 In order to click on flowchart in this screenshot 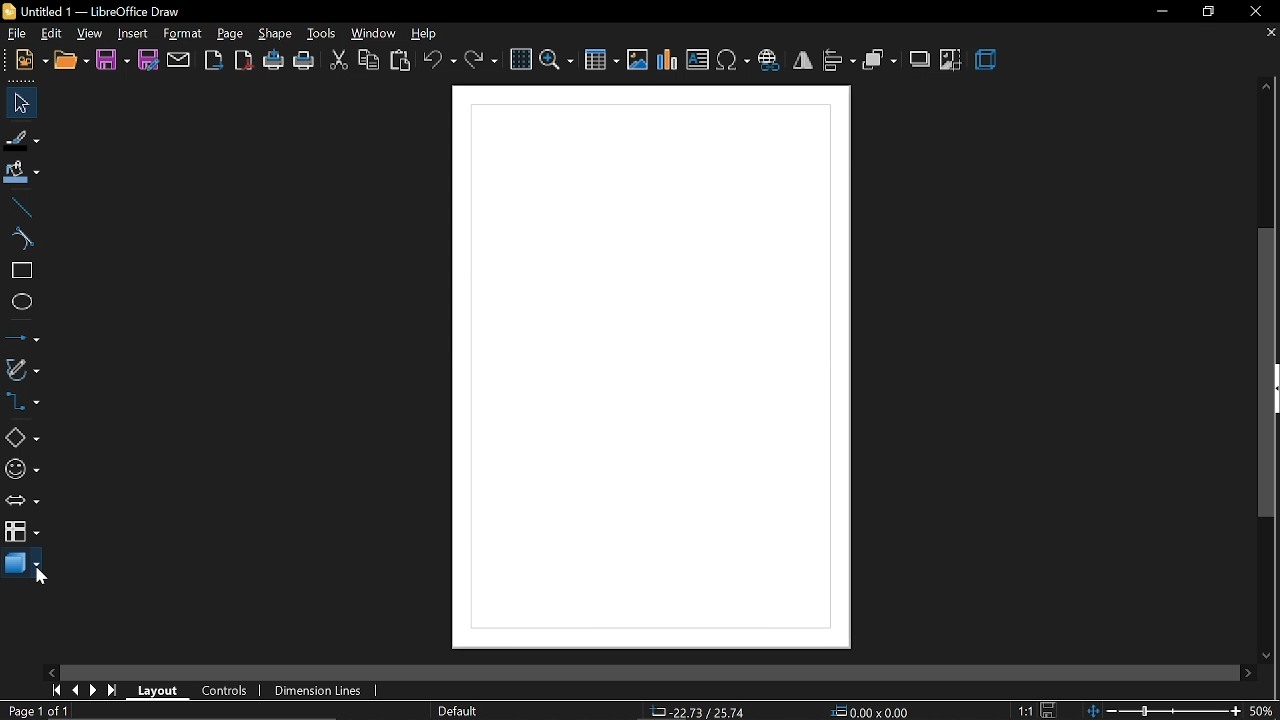, I will do `click(23, 532)`.